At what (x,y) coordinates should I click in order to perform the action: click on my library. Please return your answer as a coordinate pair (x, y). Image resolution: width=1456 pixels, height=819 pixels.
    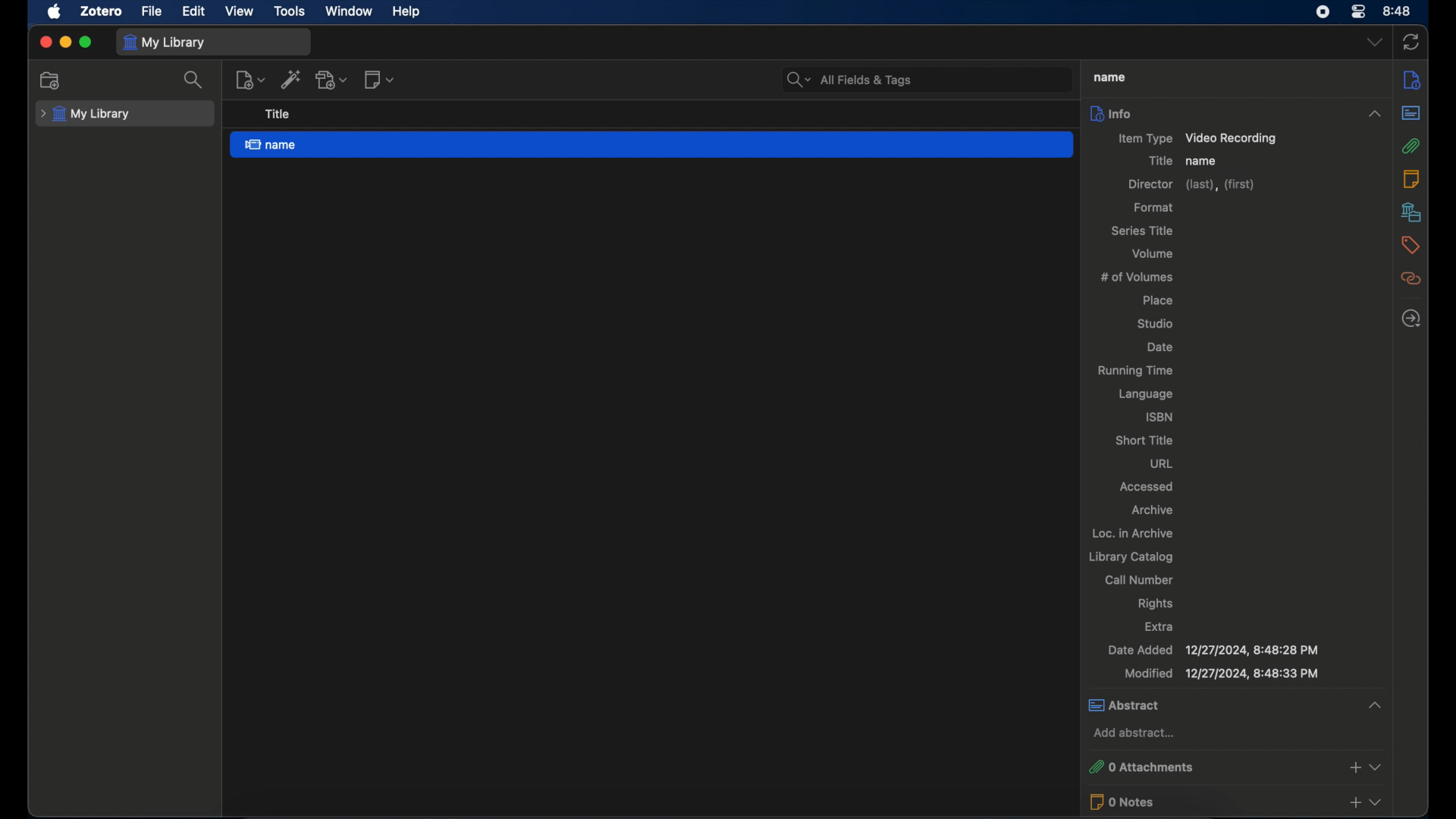
    Looking at the image, I should click on (87, 114).